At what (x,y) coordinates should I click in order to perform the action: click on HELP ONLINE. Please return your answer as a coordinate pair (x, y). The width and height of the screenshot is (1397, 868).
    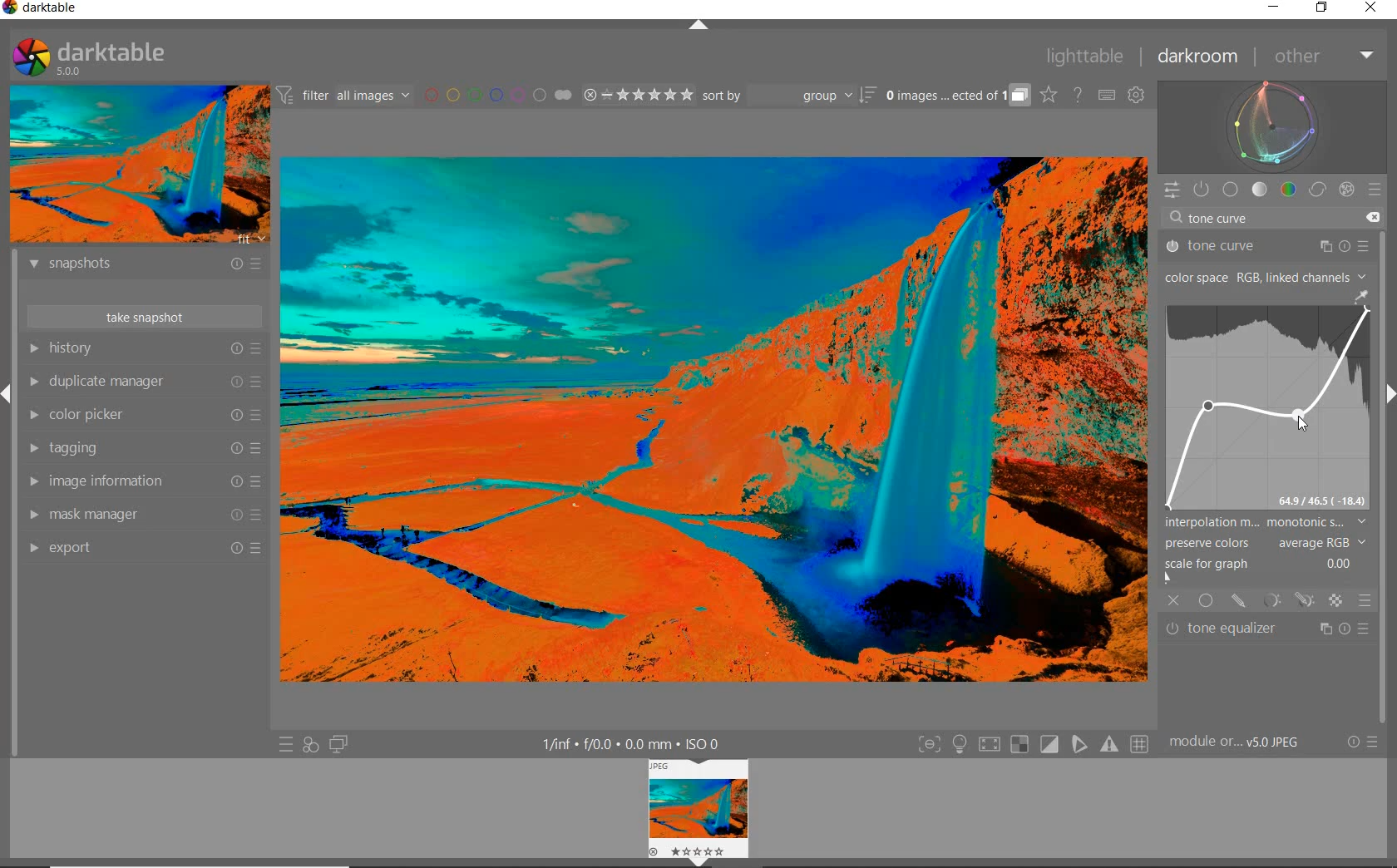
    Looking at the image, I should click on (1078, 95).